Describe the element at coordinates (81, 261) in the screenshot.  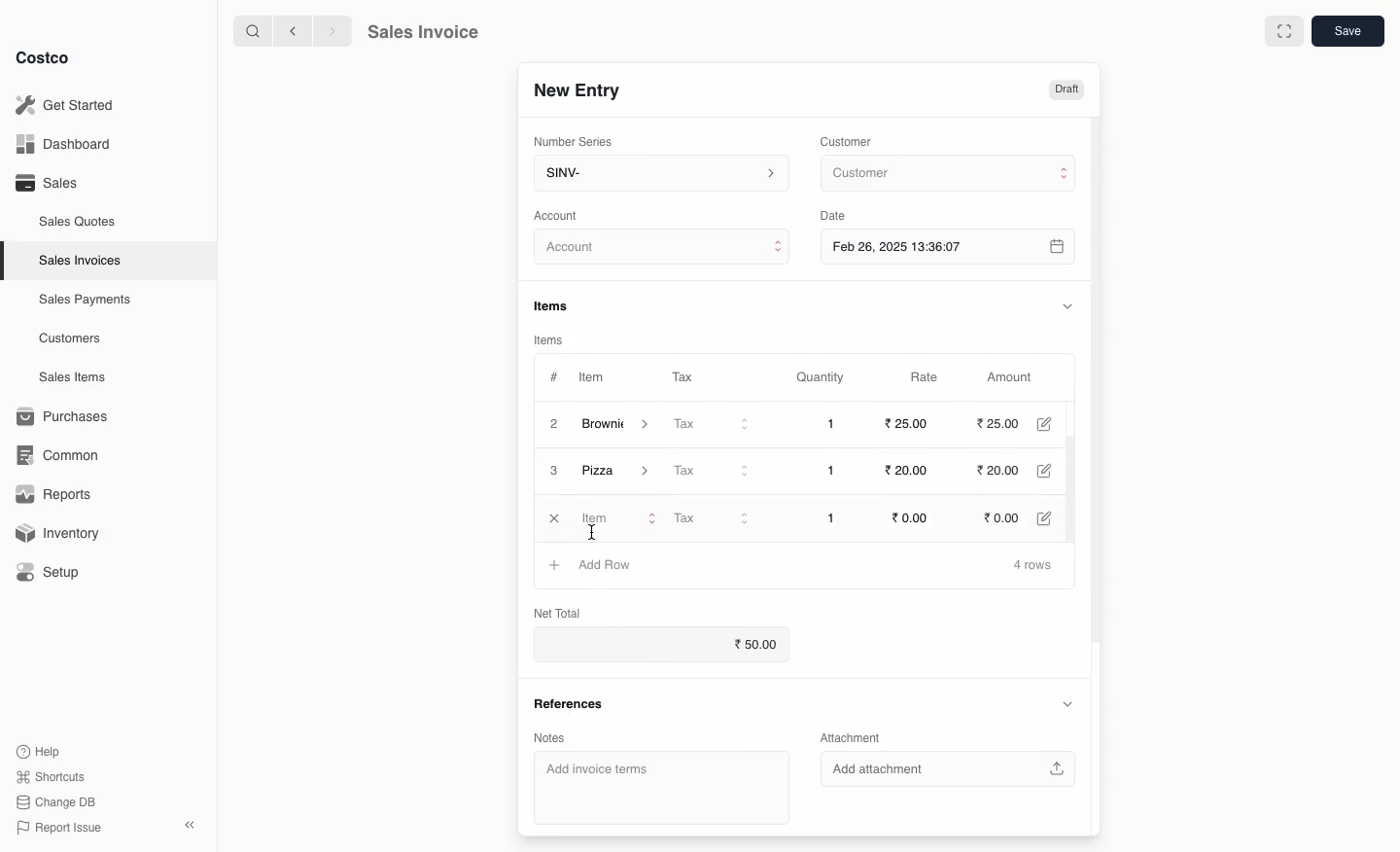
I see `Sales Invoices` at that location.